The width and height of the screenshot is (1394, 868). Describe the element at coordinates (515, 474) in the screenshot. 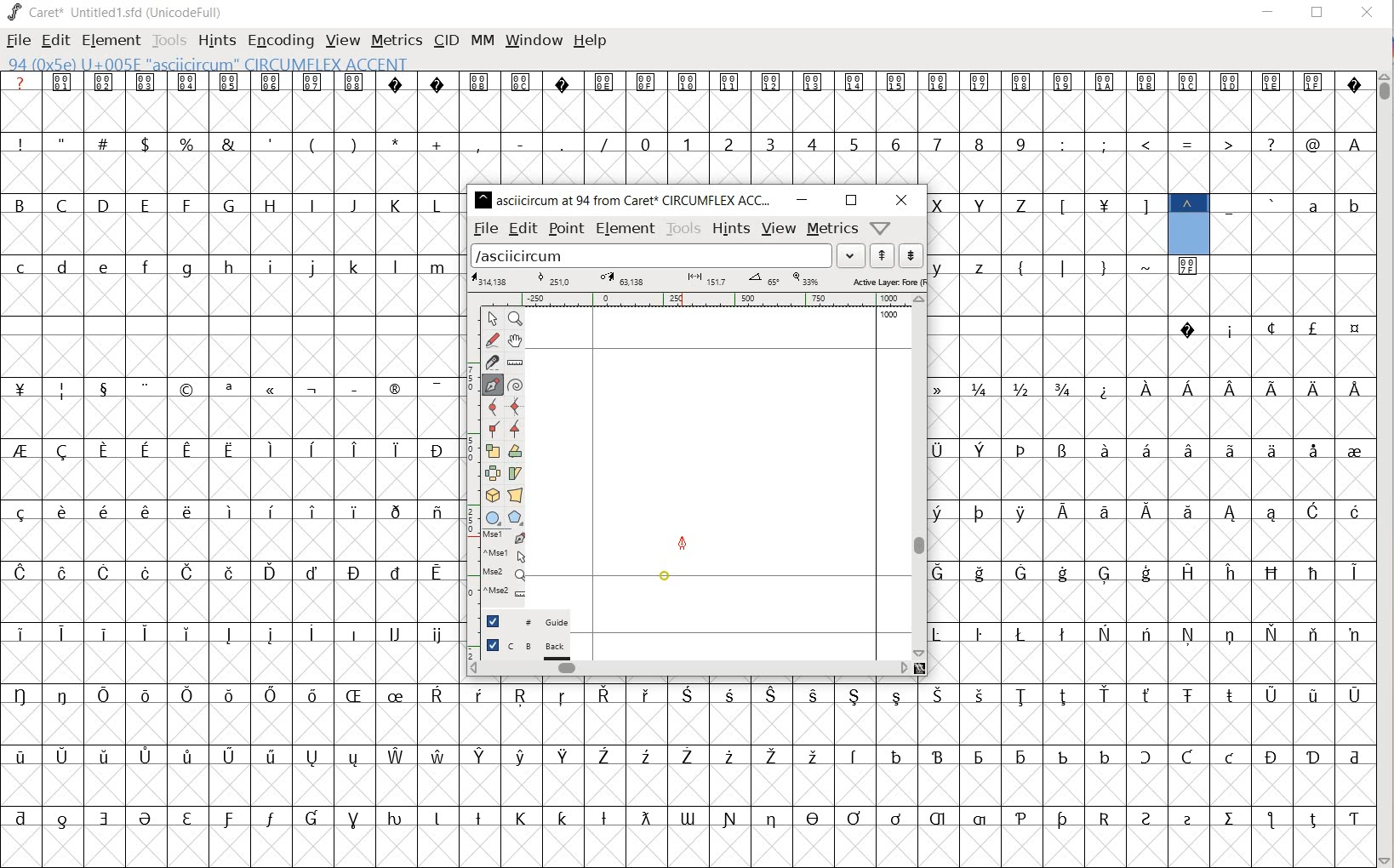

I see `skew the selection` at that location.